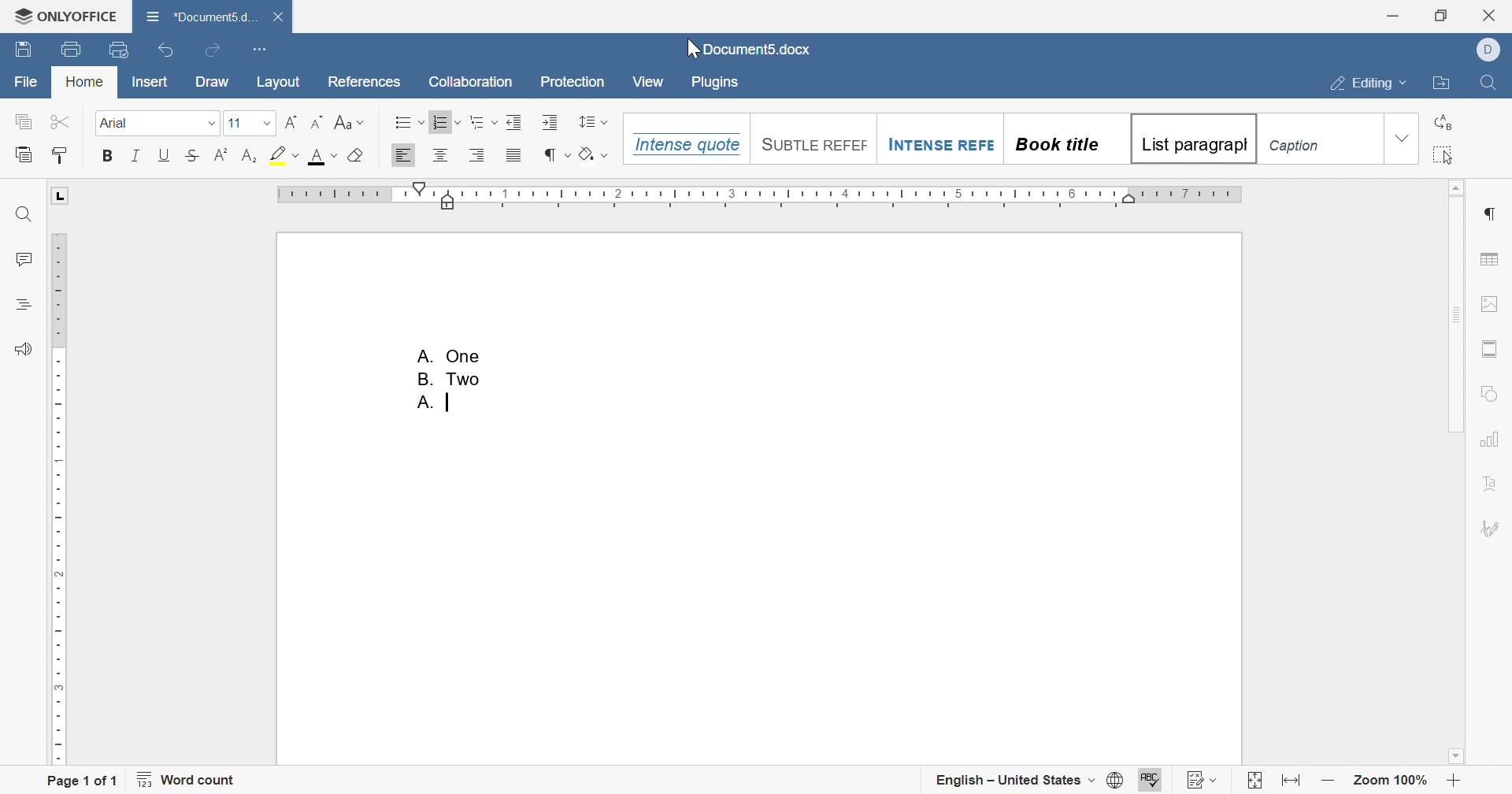 This screenshot has width=1512, height=794. What do you see at coordinates (24, 121) in the screenshot?
I see `copy` at bounding box center [24, 121].